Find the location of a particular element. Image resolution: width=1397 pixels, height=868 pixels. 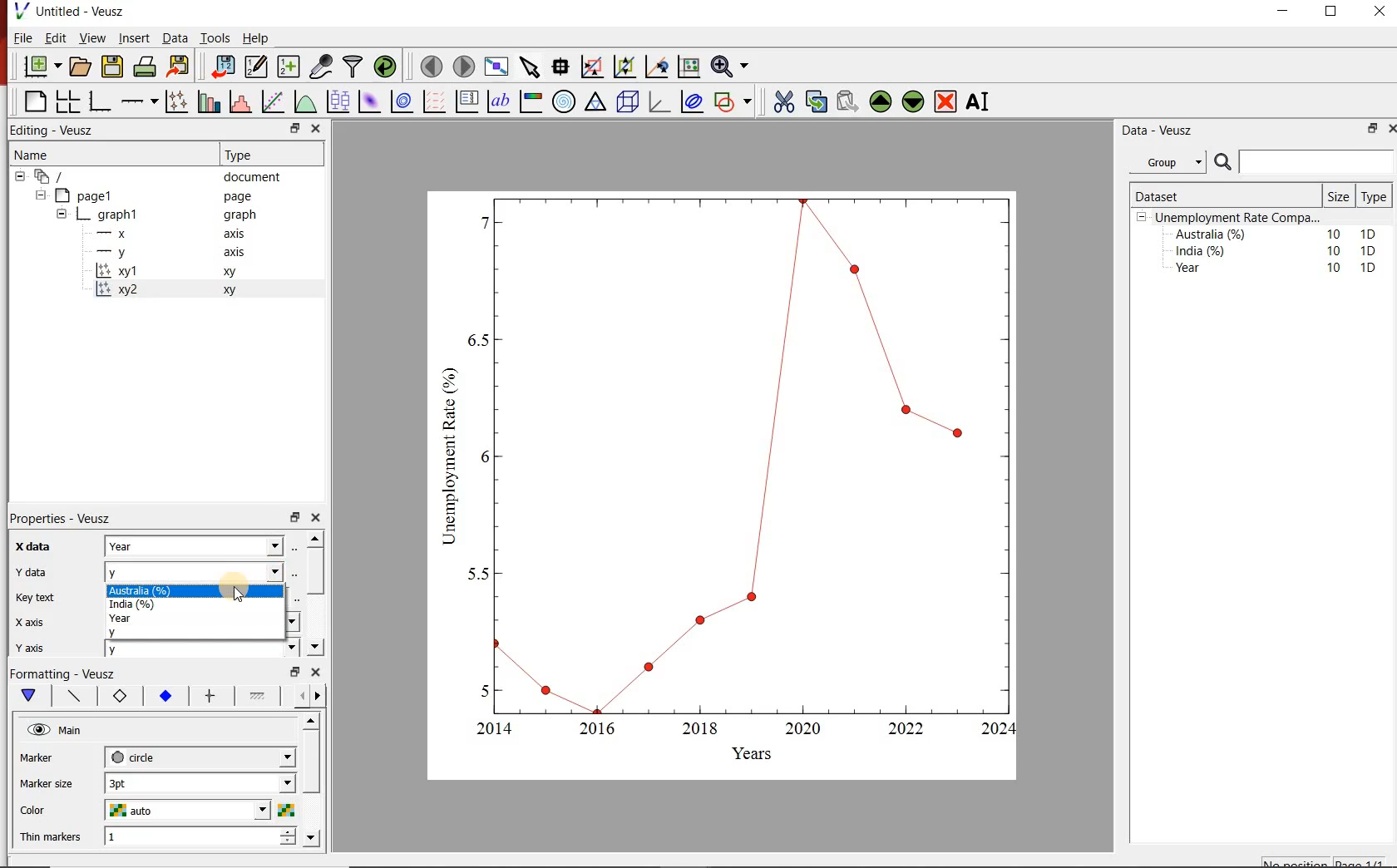

Name is located at coordinates (105, 153).